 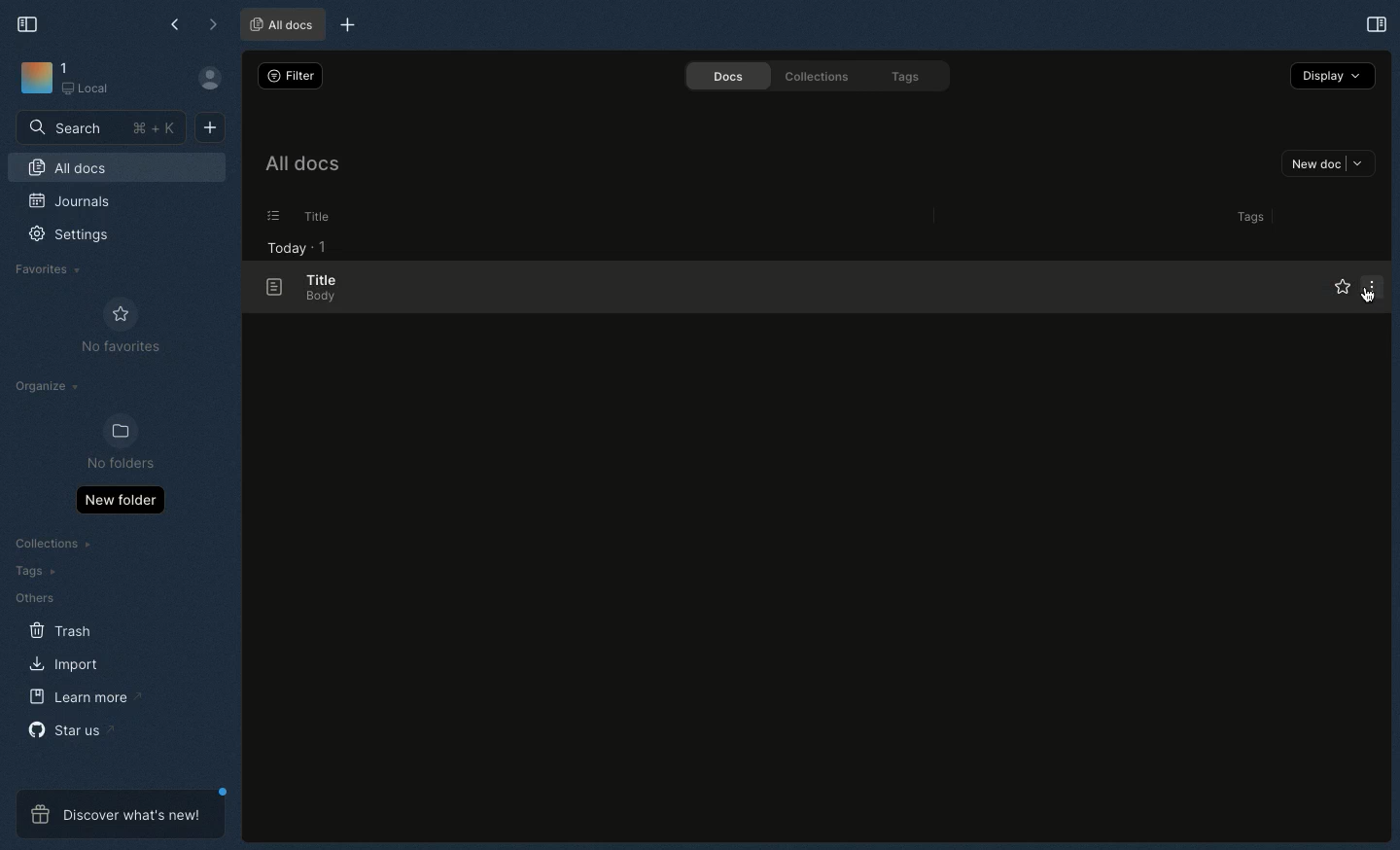 I want to click on Collapse sidebar, so click(x=28, y=22).